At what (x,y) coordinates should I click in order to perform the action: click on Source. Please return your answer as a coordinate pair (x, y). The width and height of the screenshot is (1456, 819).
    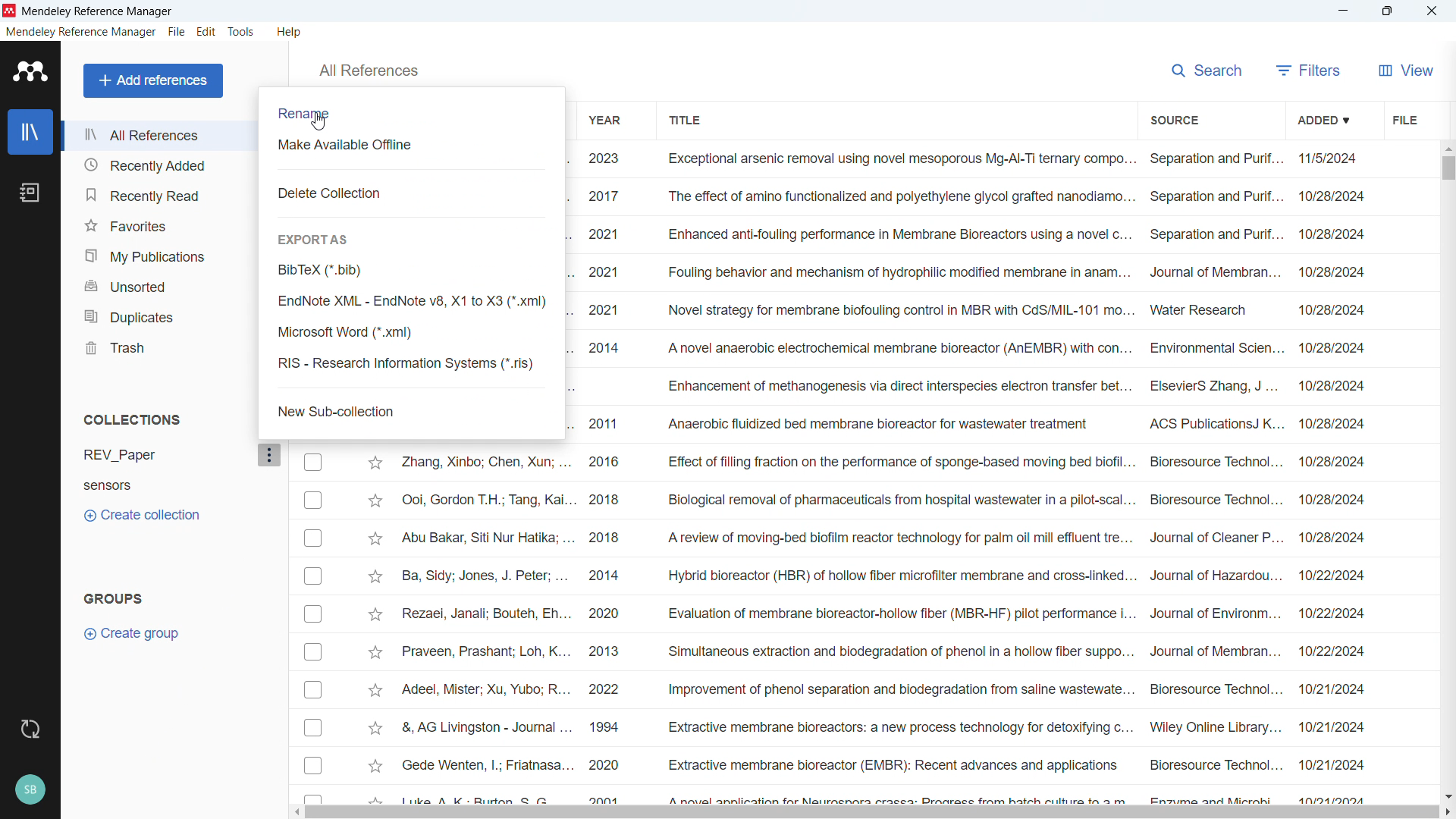
    Looking at the image, I should click on (1175, 118).